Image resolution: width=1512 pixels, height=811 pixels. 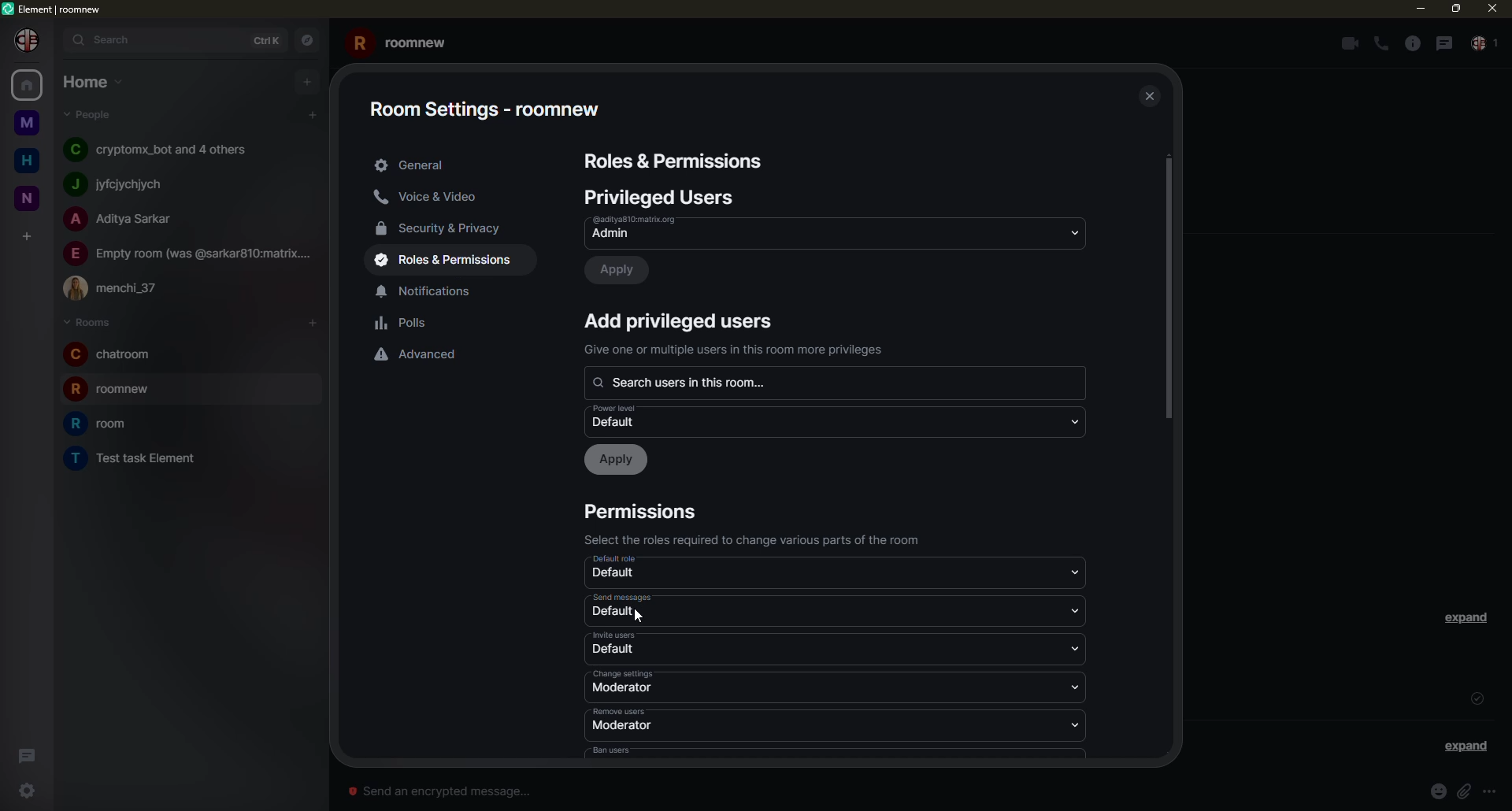 What do you see at coordinates (1485, 45) in the screenshot?
I see `people` at bounding box center [1485, 45].